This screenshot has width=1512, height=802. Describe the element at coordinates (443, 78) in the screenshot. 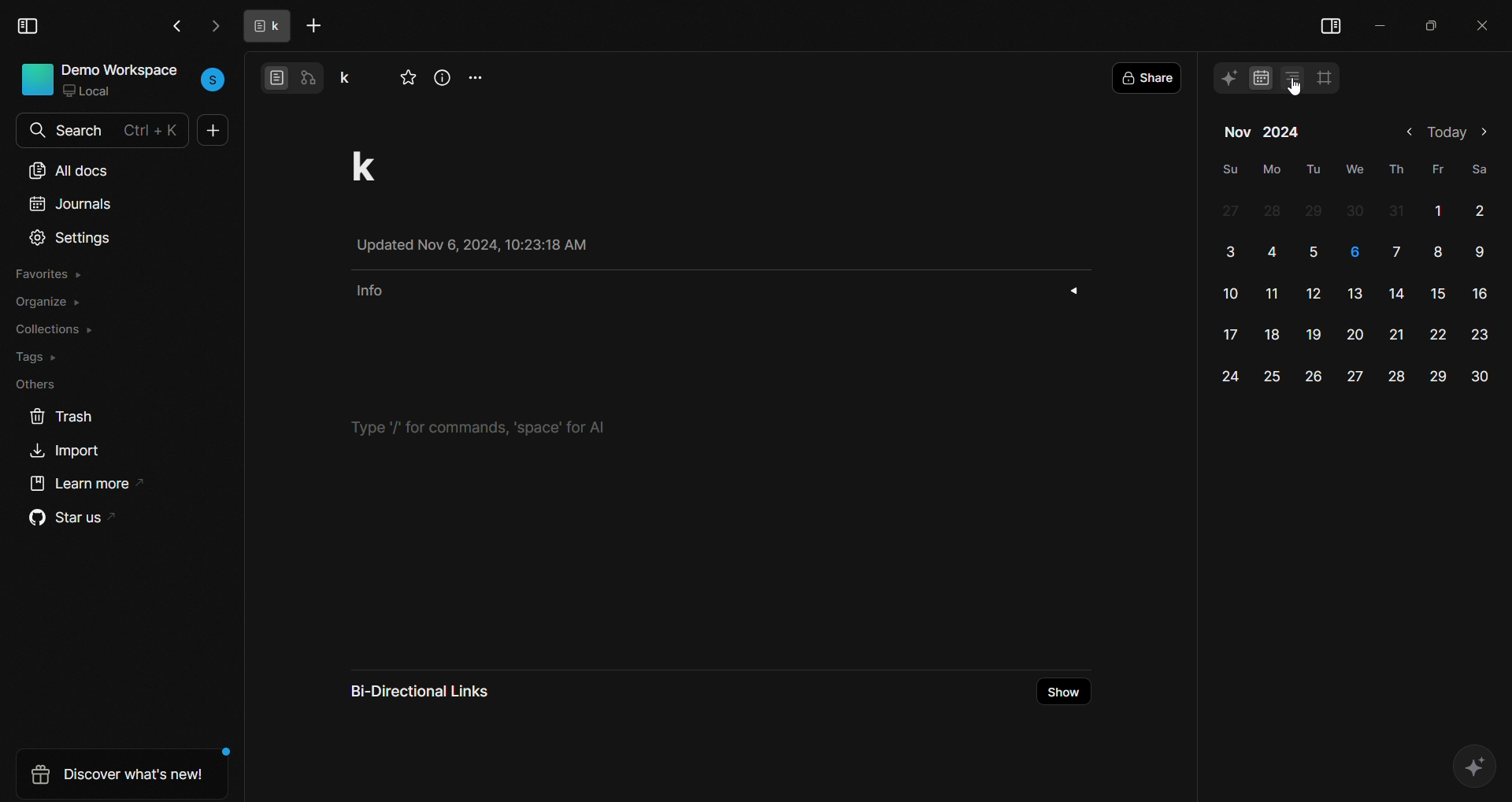

I see `view info` at that location.